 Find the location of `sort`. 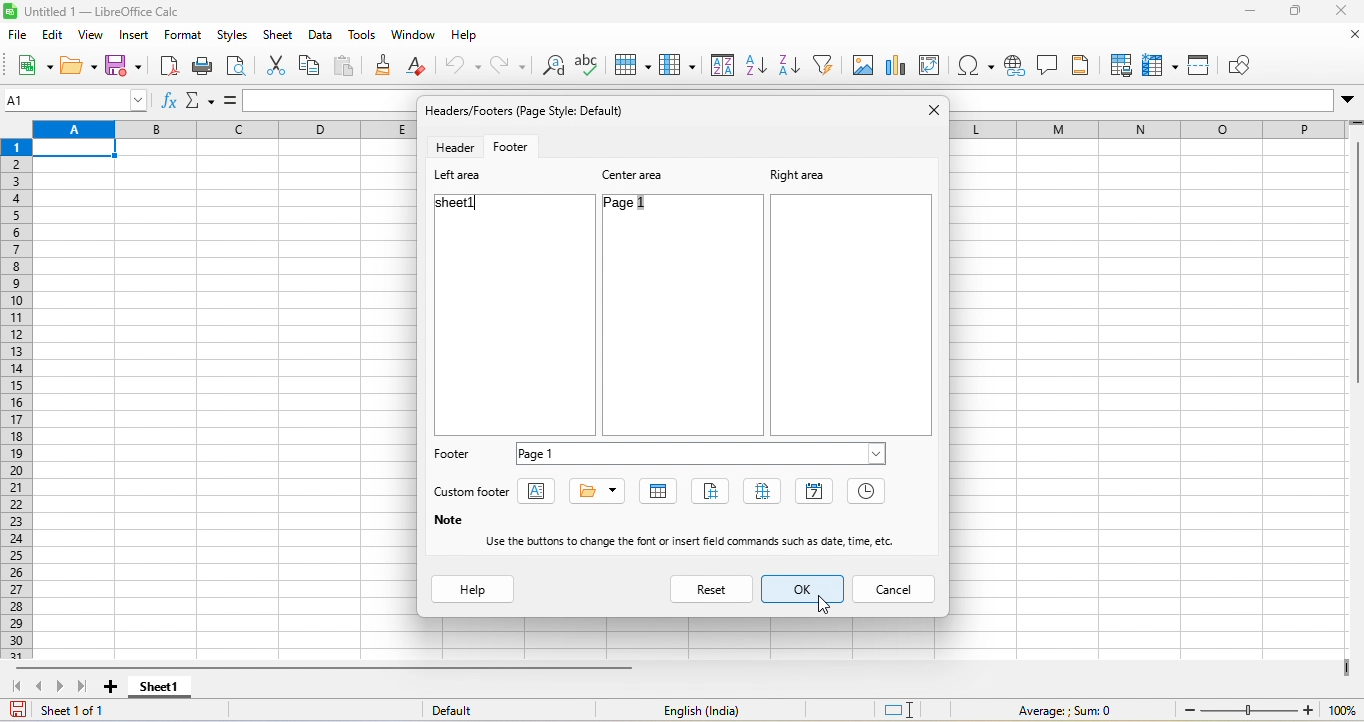

sort is located at coordinates (722, 64).